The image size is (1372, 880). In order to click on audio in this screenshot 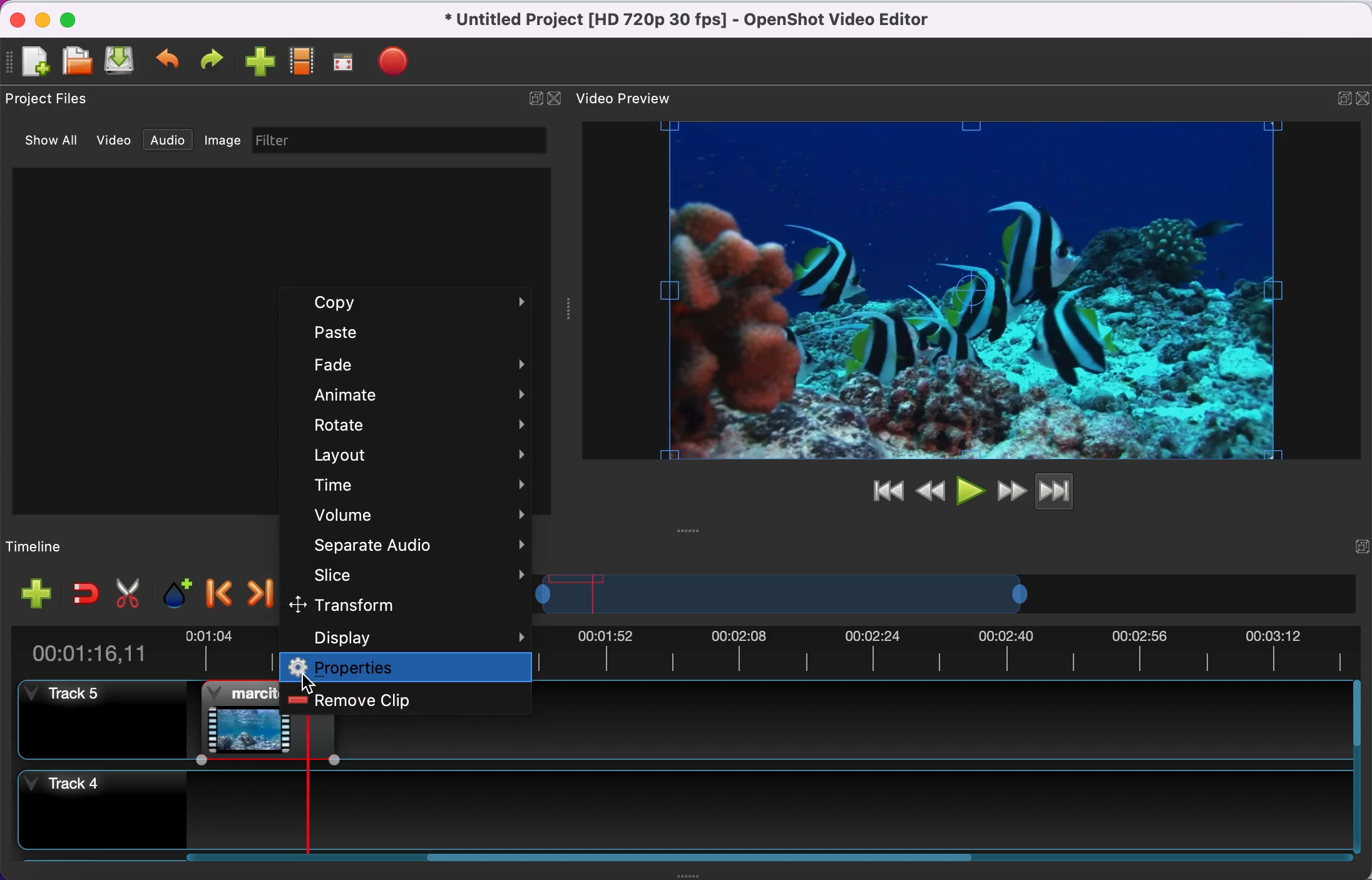, I will do `click(166, 139)`.